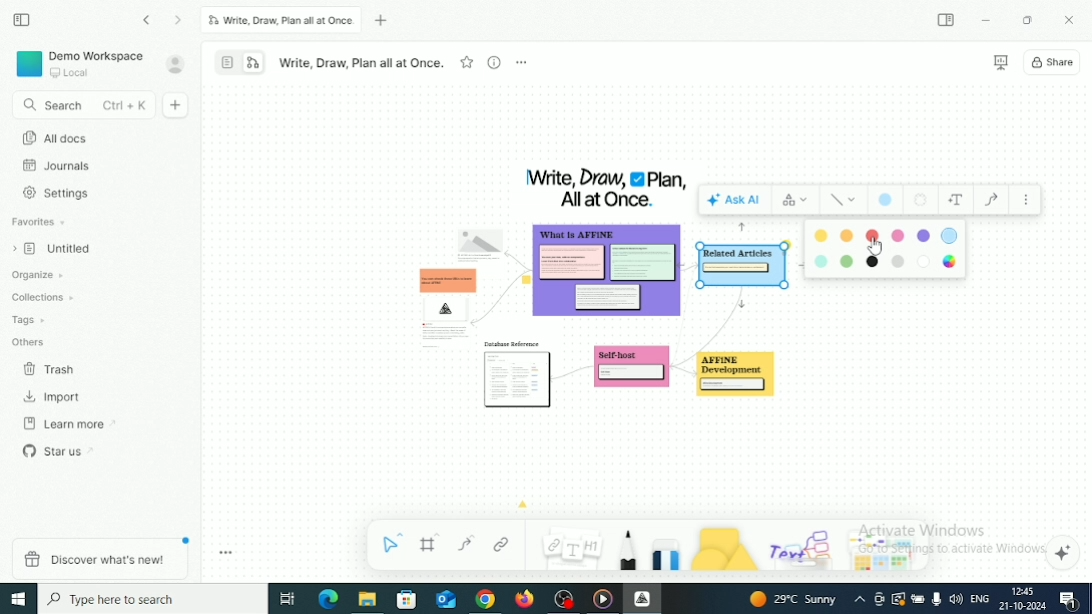  I want to click on Pink, so click(898, 235).